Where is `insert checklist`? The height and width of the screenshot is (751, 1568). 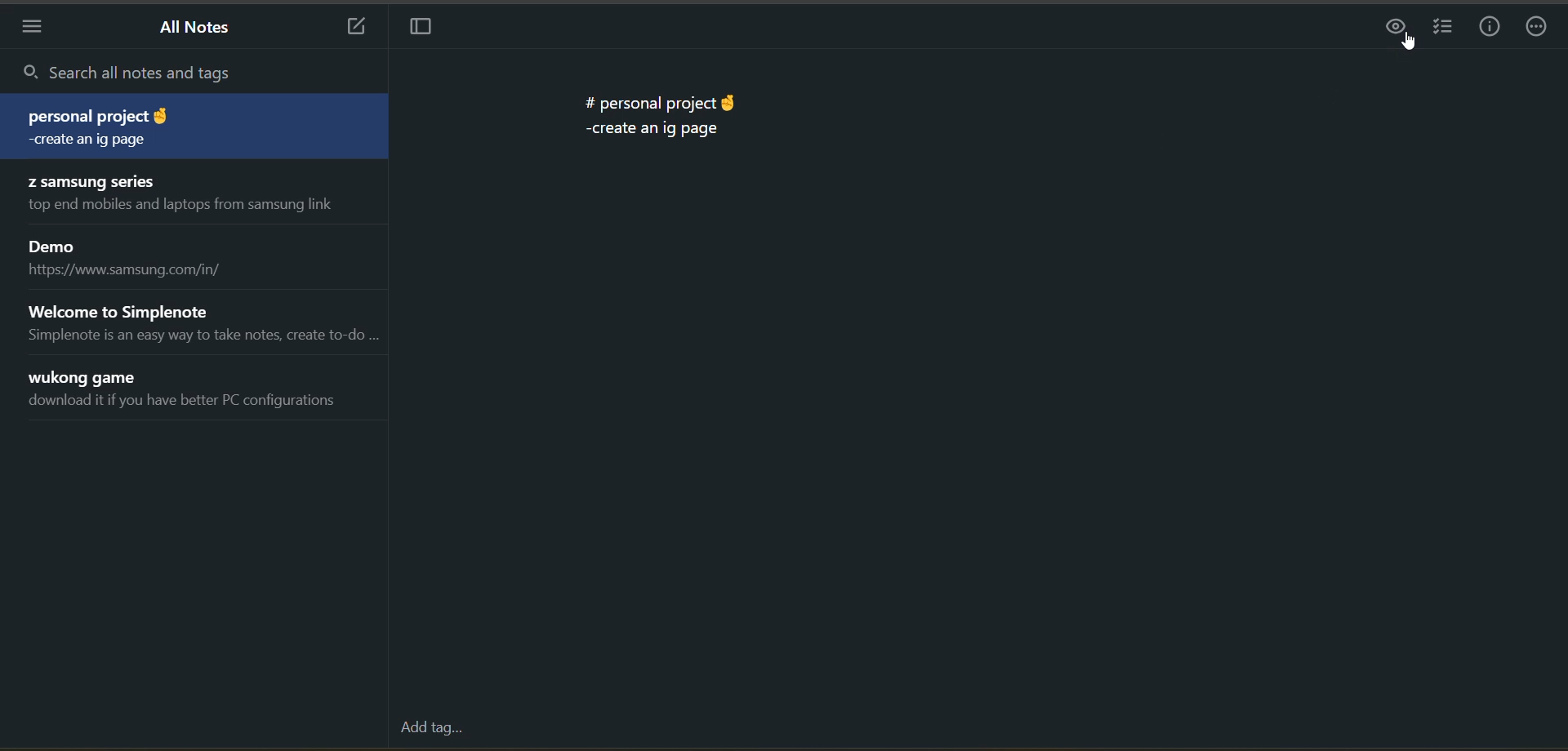
insert checklist is located at coordinates (1444, 29).